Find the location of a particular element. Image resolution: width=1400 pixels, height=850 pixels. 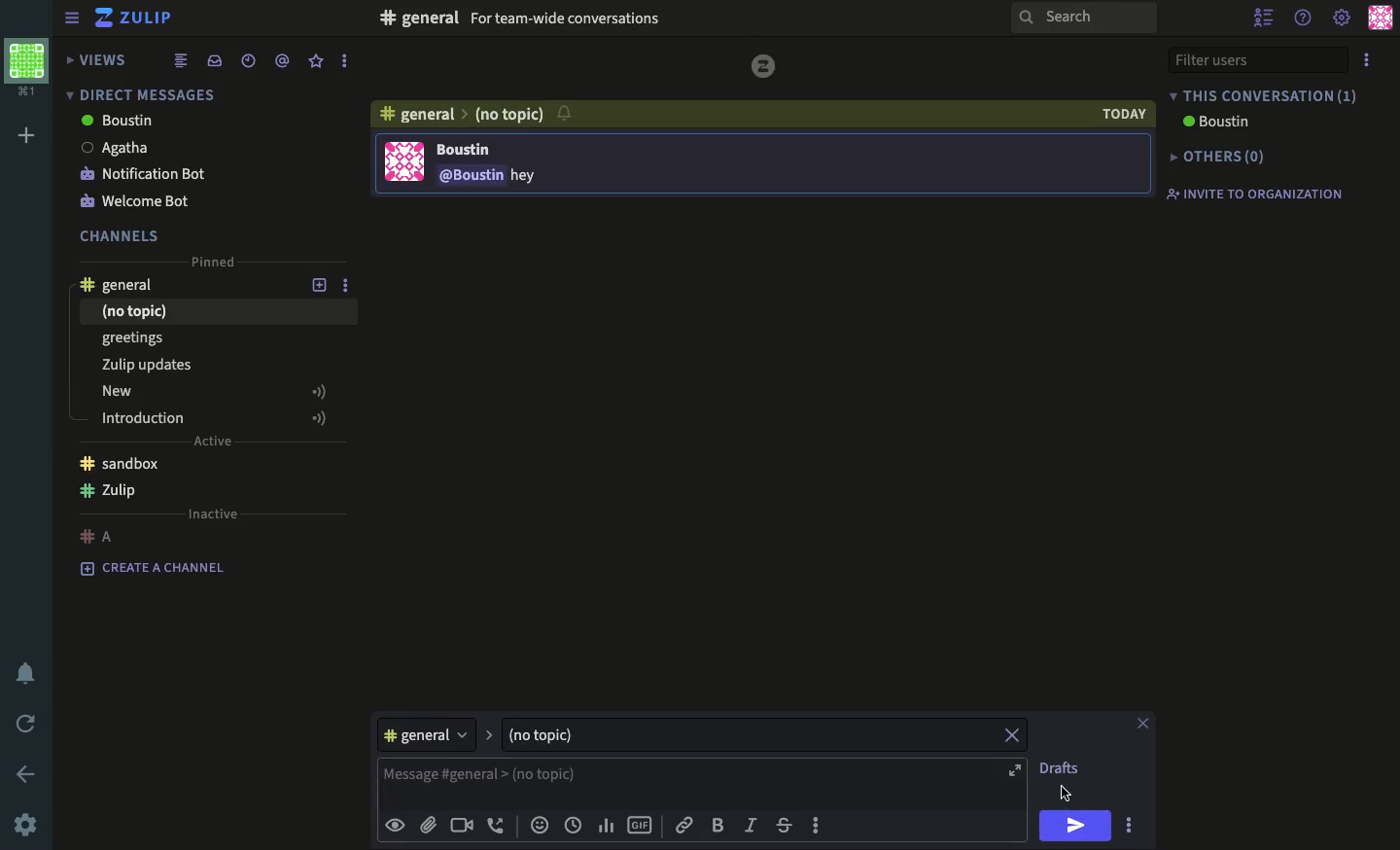

gif is located at coordinates (643, 823).